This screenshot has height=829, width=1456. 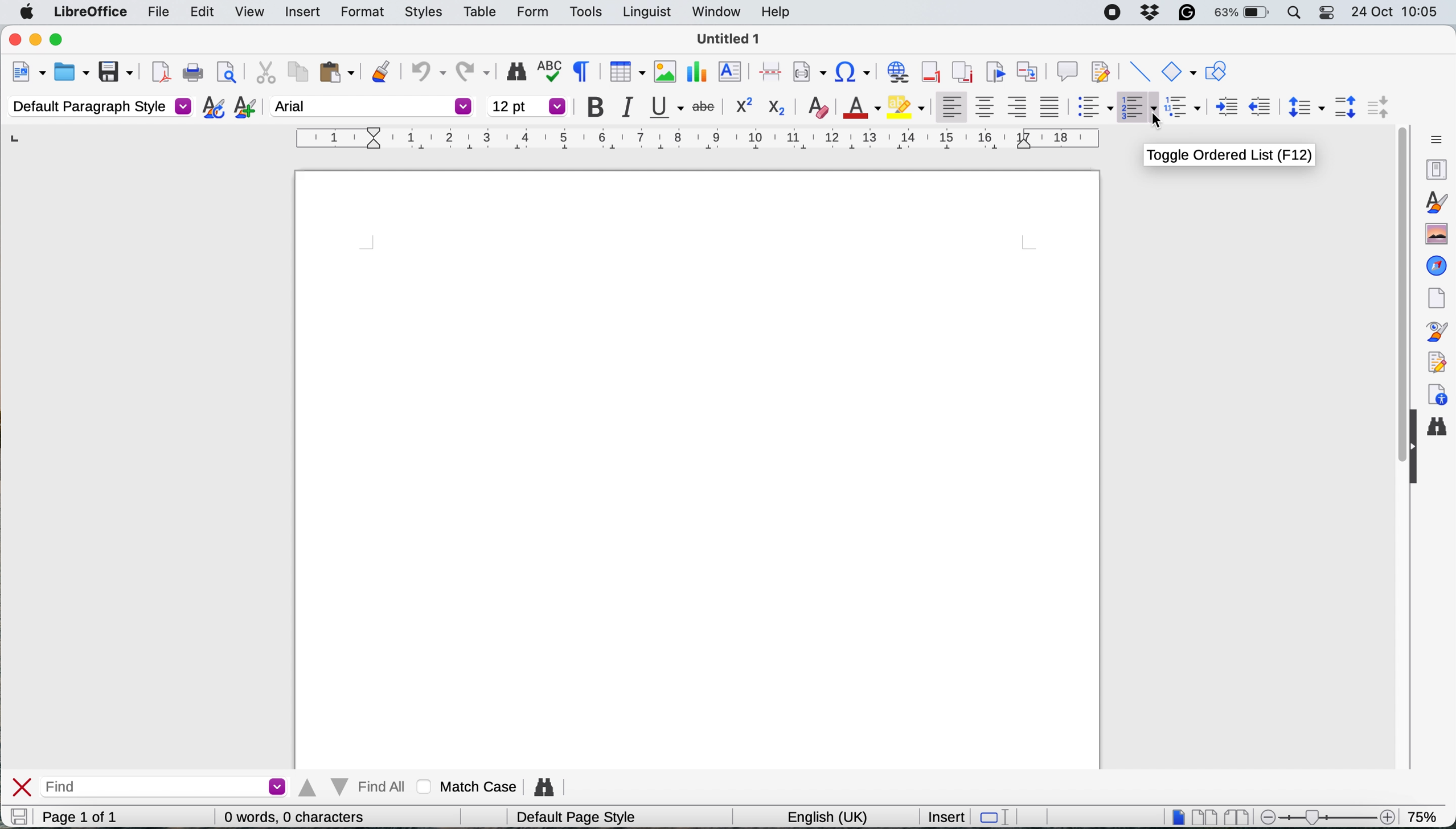 I want to click on single page view, so click(x=1178, y=816).